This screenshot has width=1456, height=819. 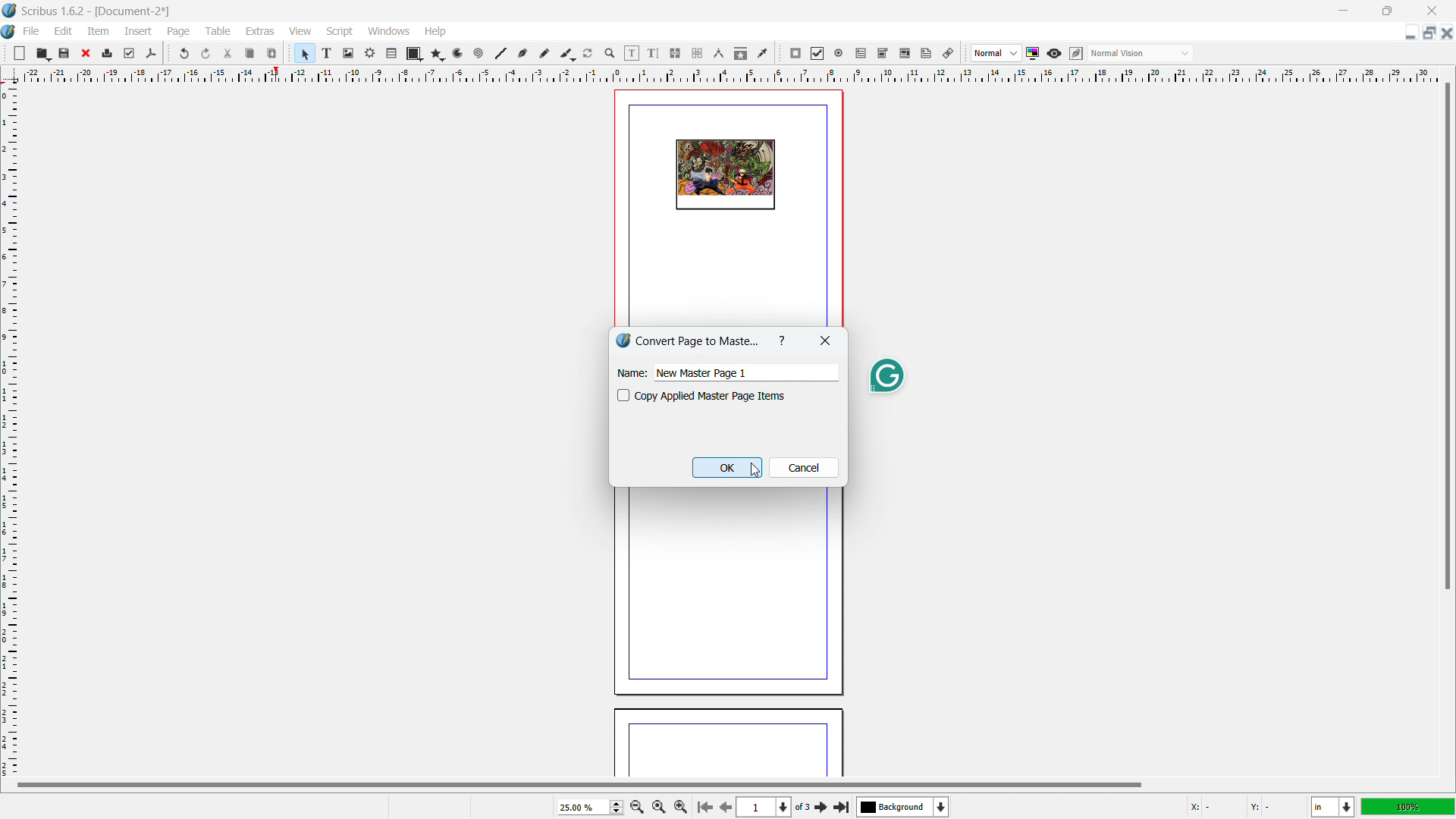 I want to click on text frame, so click(x=328, y=52).